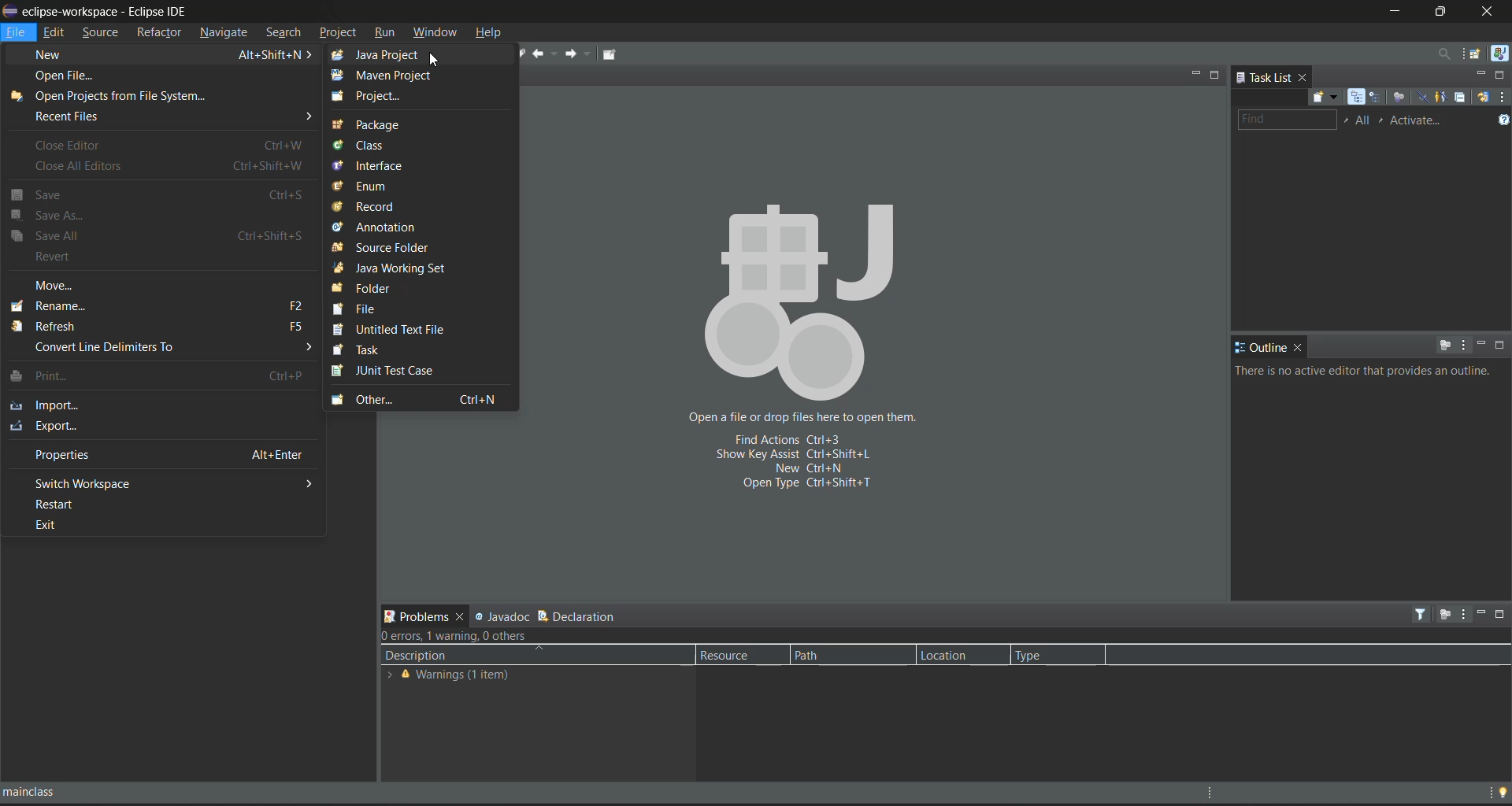  Describe the element at coordinates (168, 55) in the screenshot. I see `new` at that location.